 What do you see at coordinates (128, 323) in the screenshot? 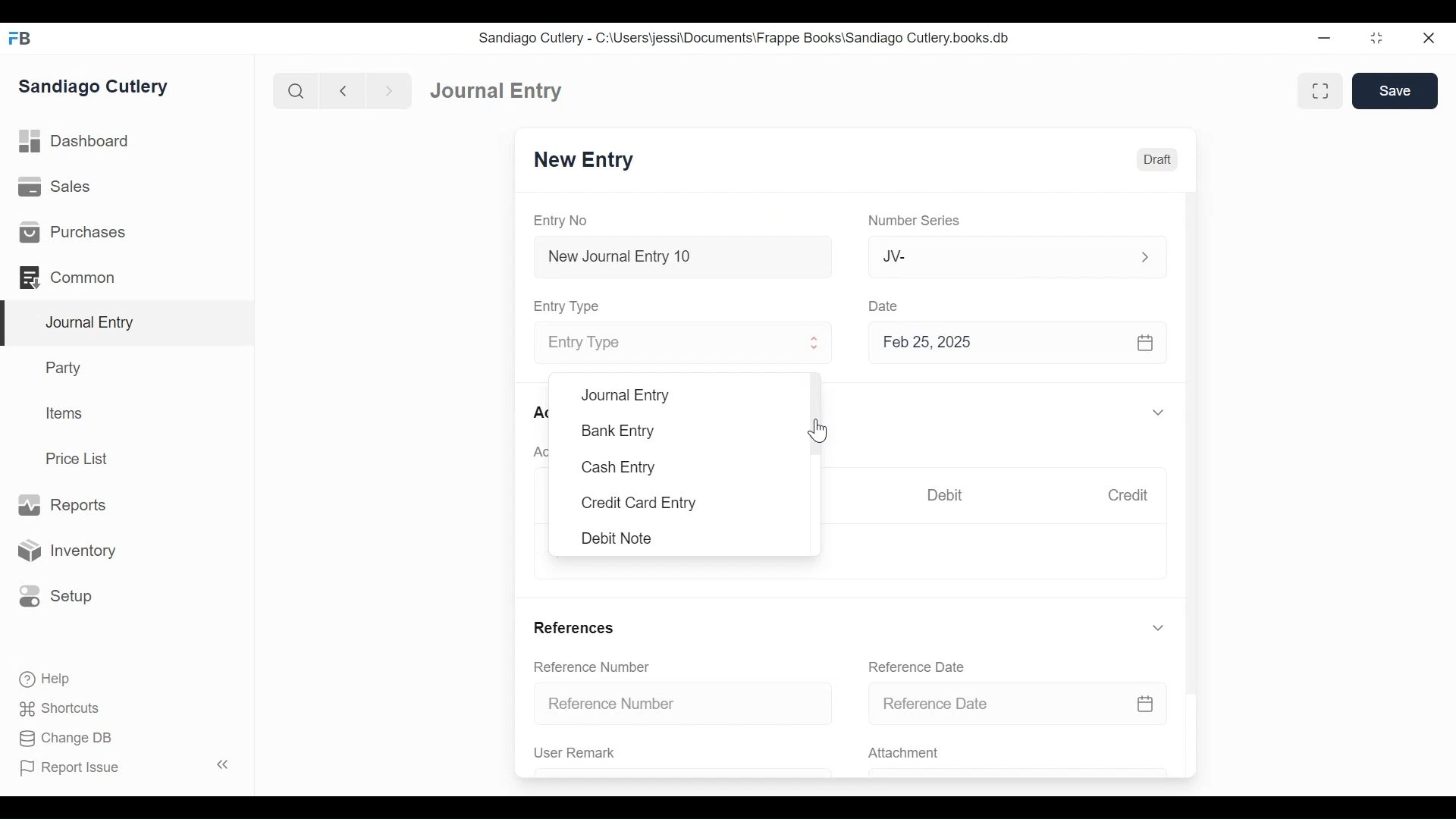
I see `Journal Entry` at bounding box center [128, 323].